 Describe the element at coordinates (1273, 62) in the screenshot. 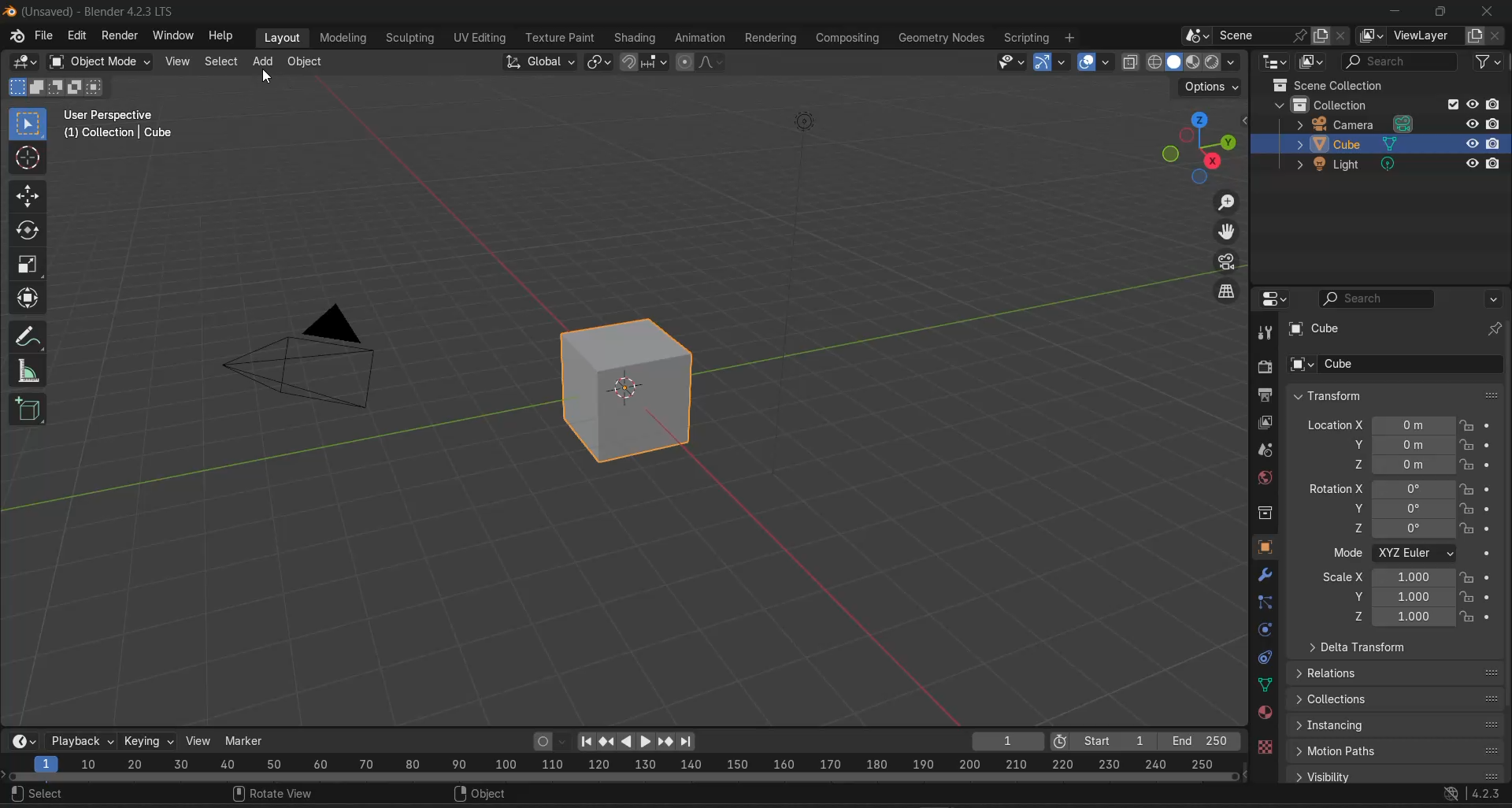

I see `editor type` at that location.